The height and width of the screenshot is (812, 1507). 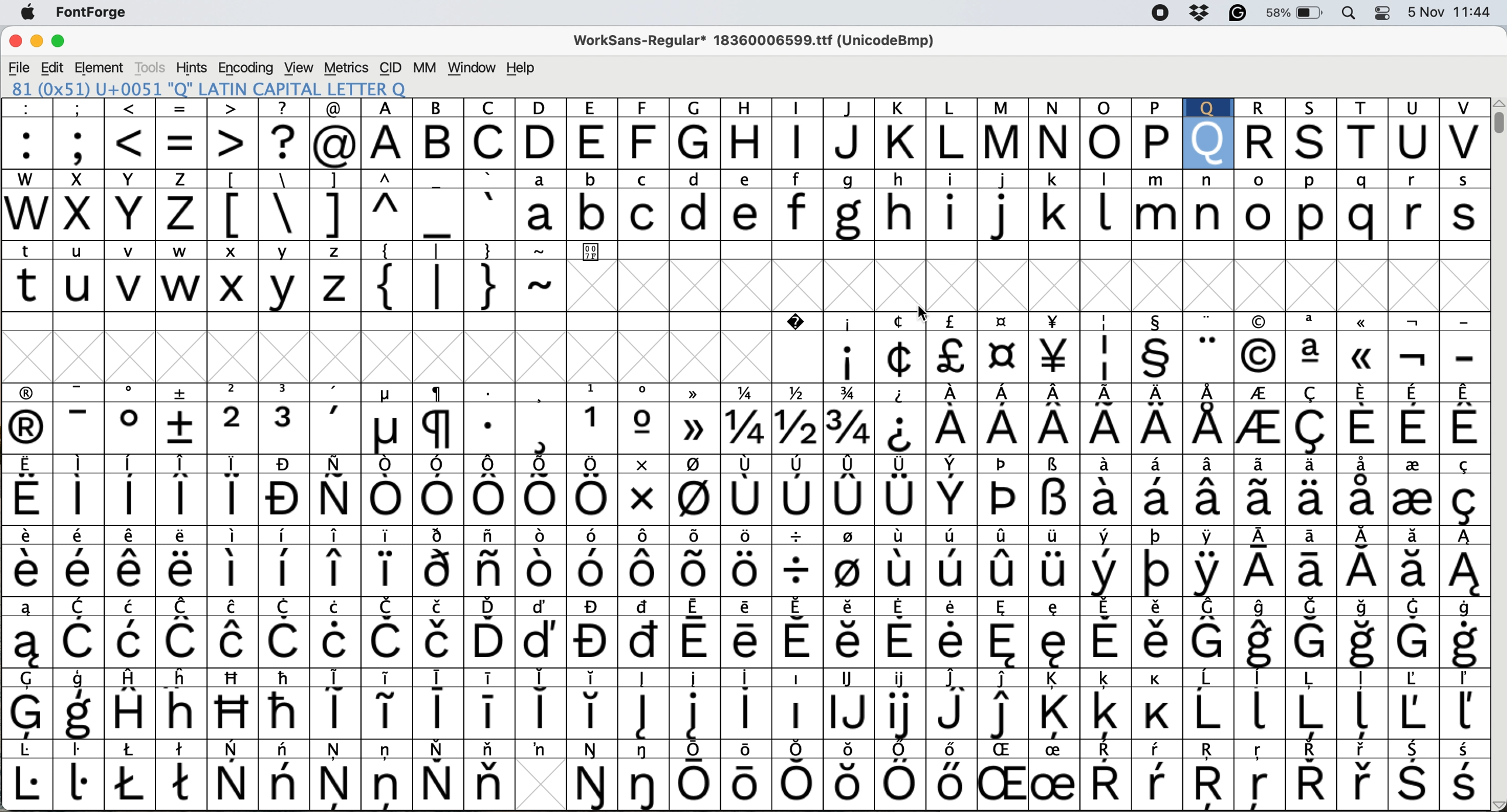 What do you see at coordinates (749, 713) in the screenshot?
I see `special characters` at bounding box center [749, 713].